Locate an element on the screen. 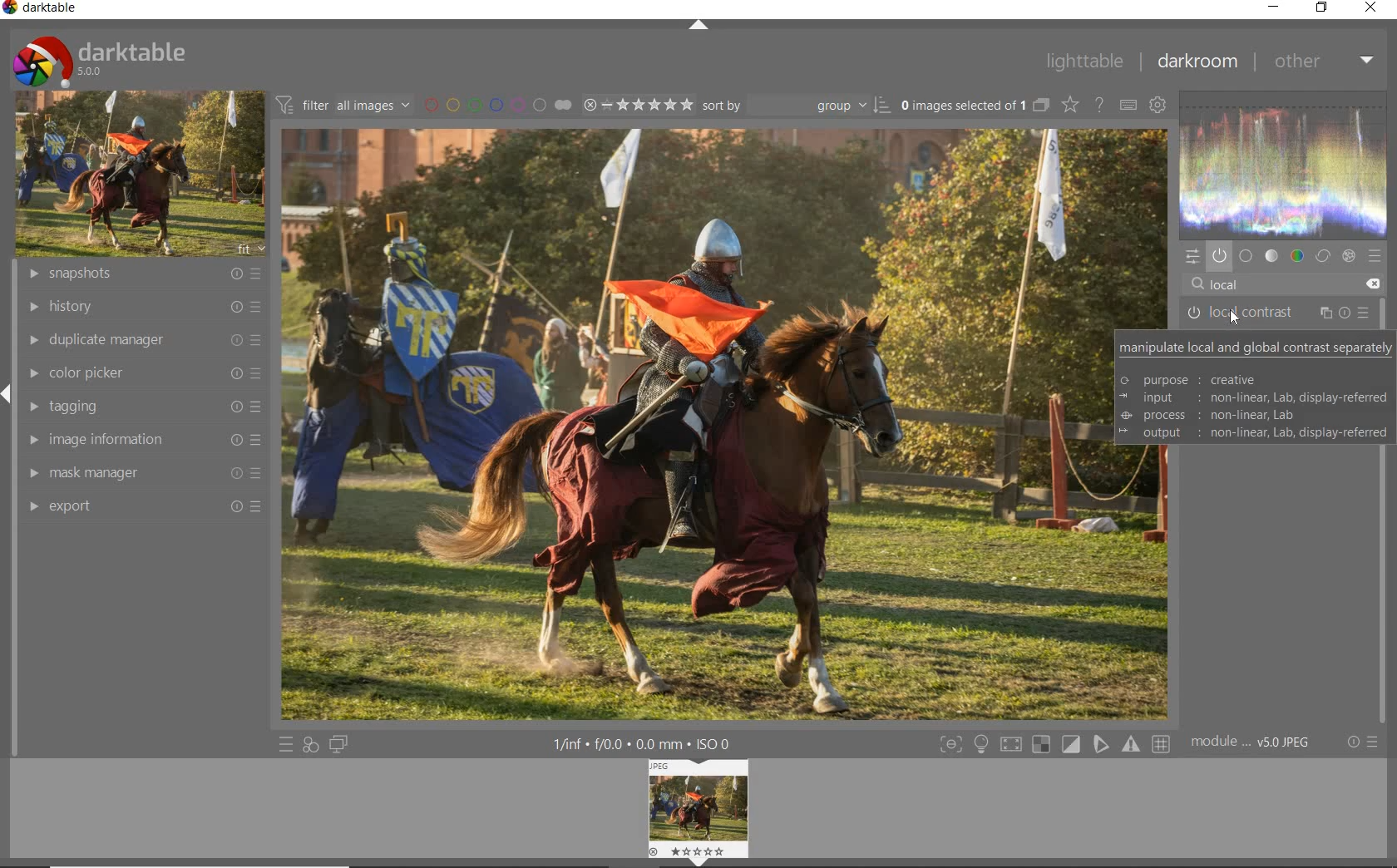 This screenshot has width=1397, height=868. filter by image color label is located at coordinates (497, 104).